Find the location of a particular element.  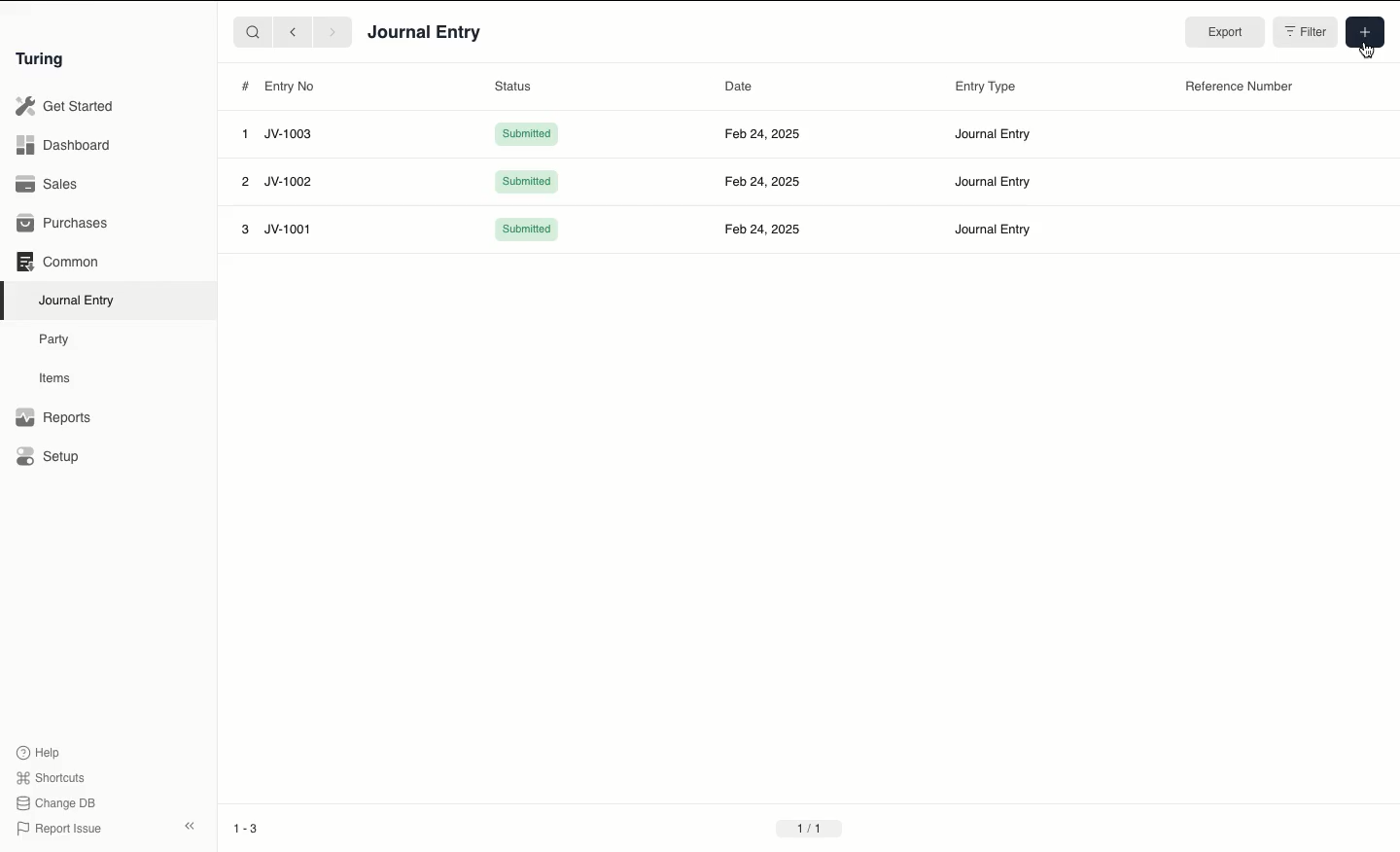

Entry Type is located at coordinates (987, 87).